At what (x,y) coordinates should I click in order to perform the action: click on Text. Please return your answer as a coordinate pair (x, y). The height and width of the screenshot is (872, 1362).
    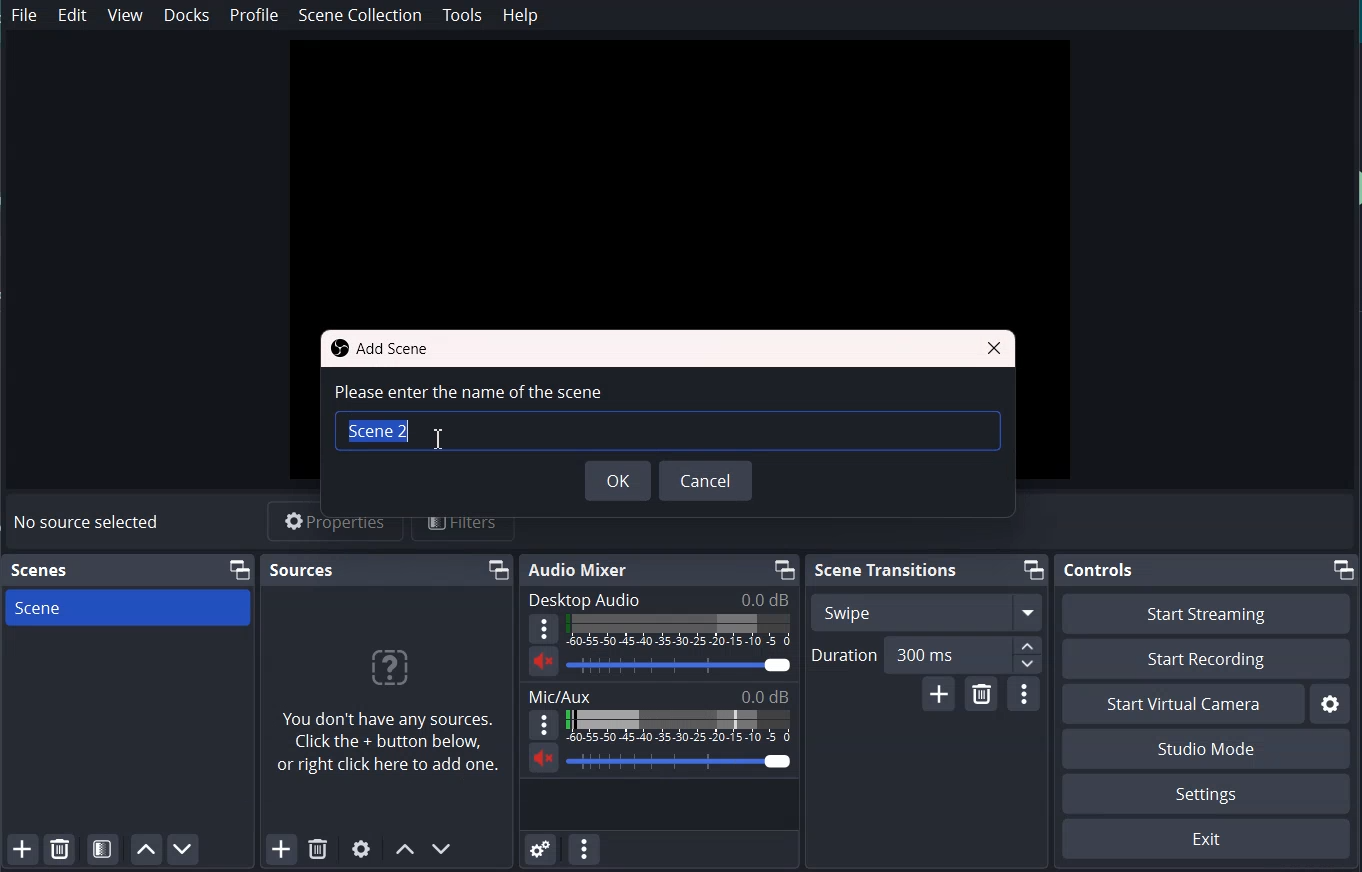
    Looking at the image, I should click on (660, 695).